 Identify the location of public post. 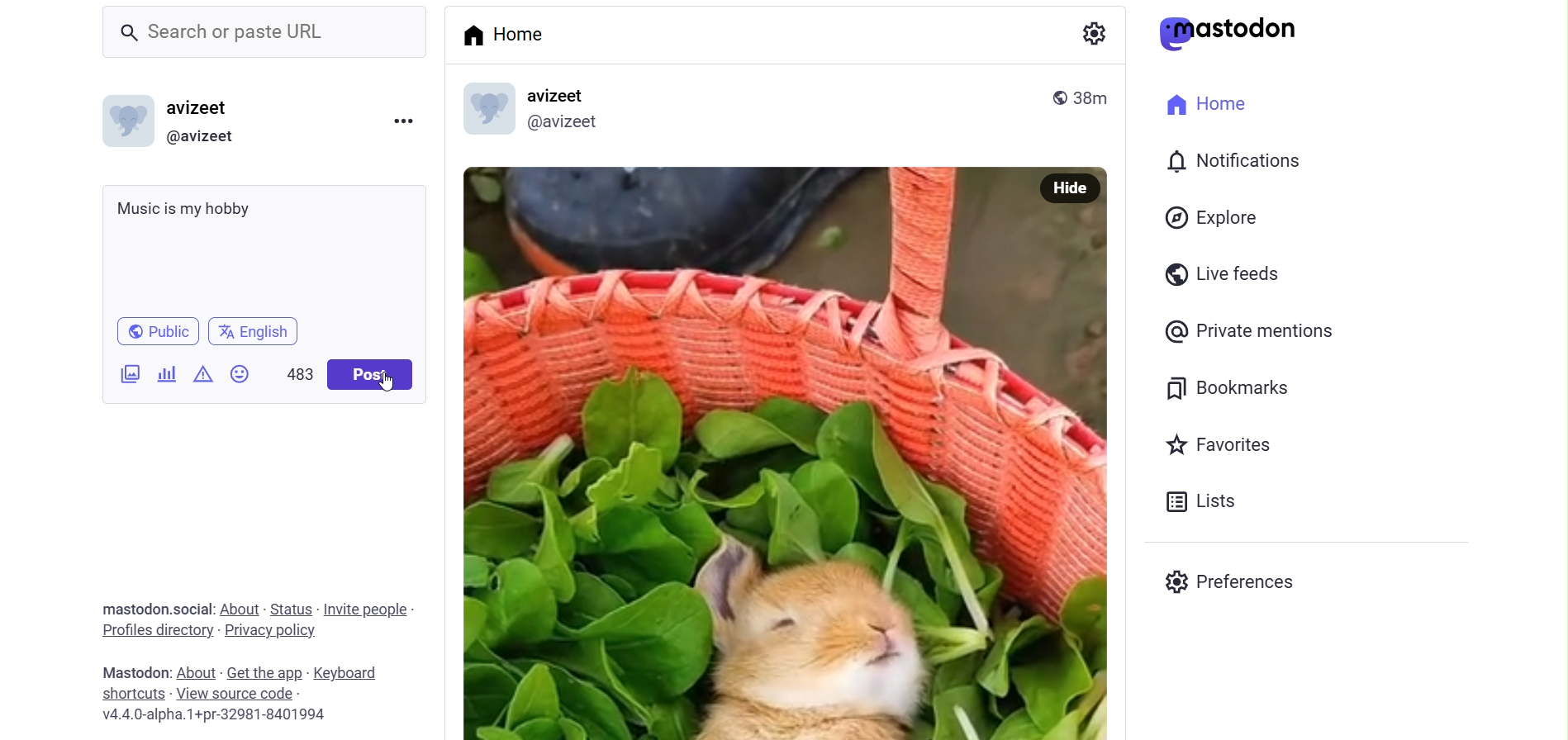
(1059, 98).